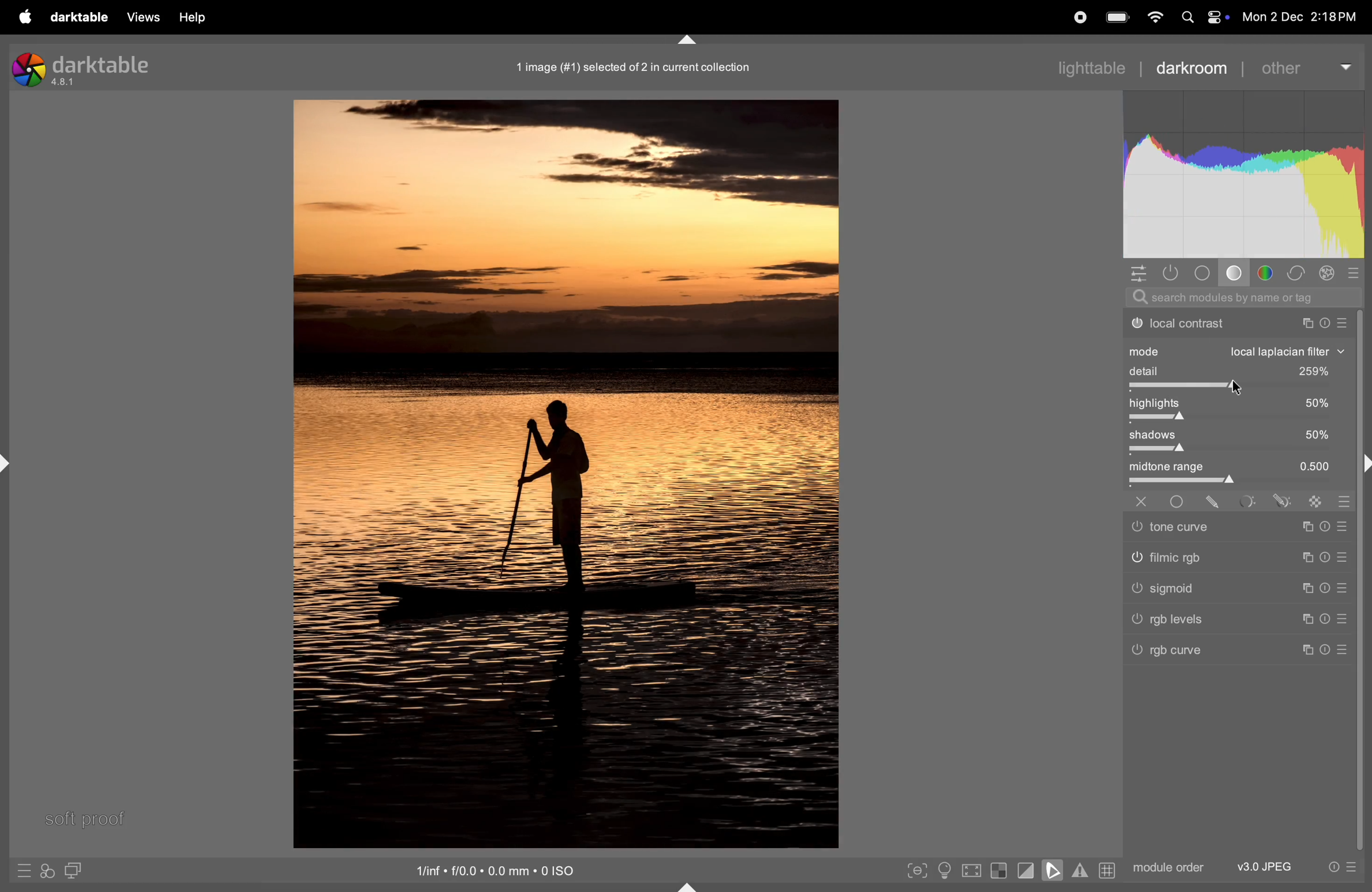 Image resolution: width=1372 pixels, height=892 pixels. What do you see at coordinates (1324, 589) in the screenshot?
I see `sign ` at bounding box center [1324, 589].